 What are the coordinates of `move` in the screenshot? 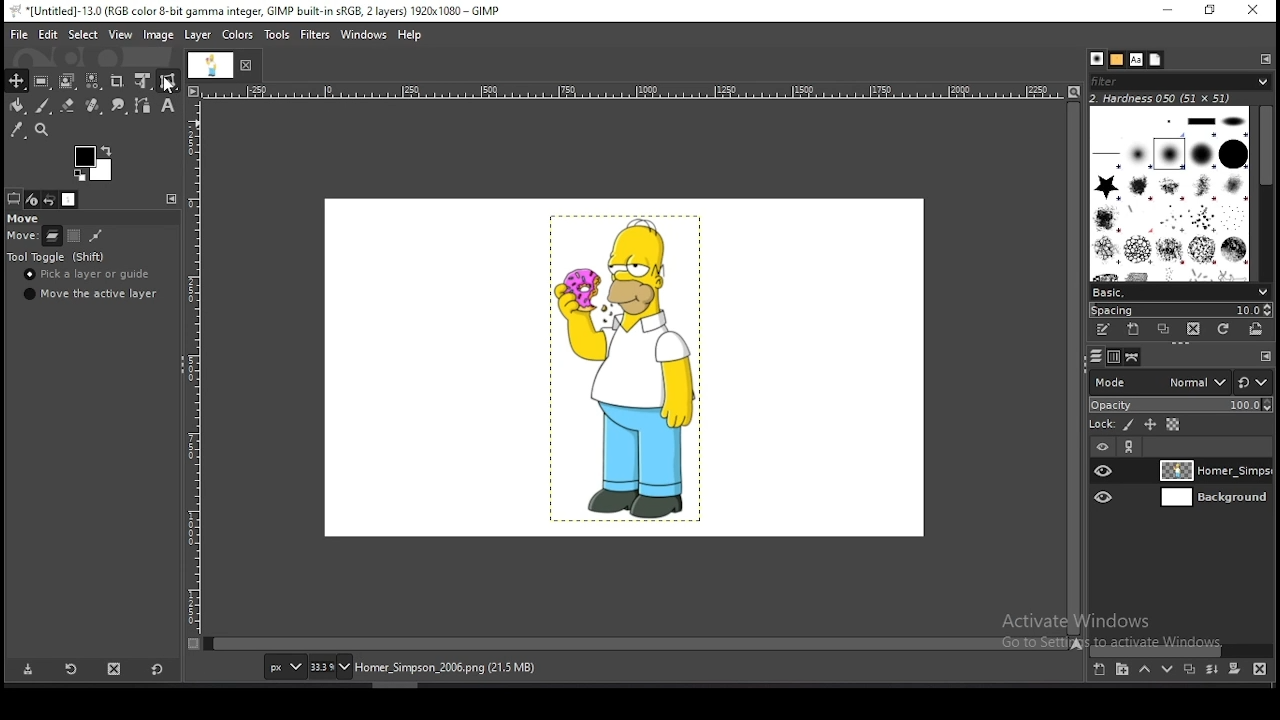 It's located at (21, 217).